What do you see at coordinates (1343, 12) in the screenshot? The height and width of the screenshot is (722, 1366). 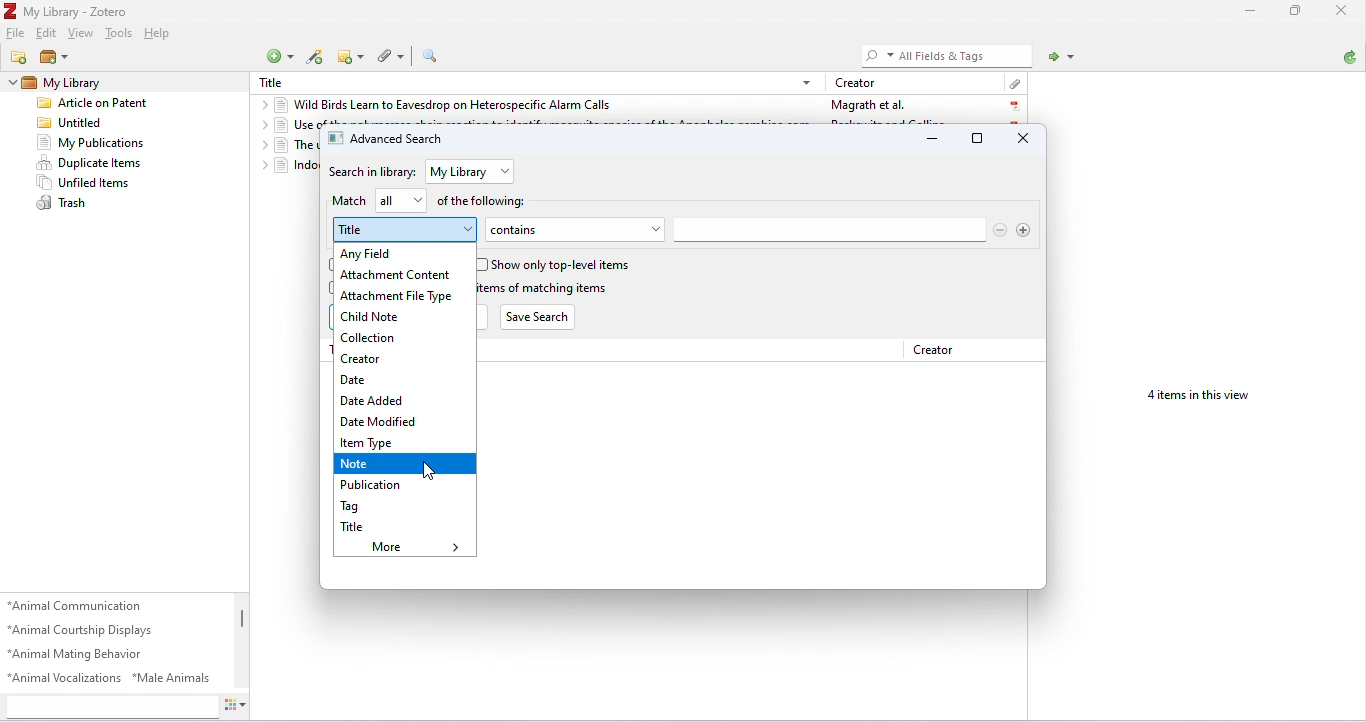 I see `close` at bounding box center [1343, 12].